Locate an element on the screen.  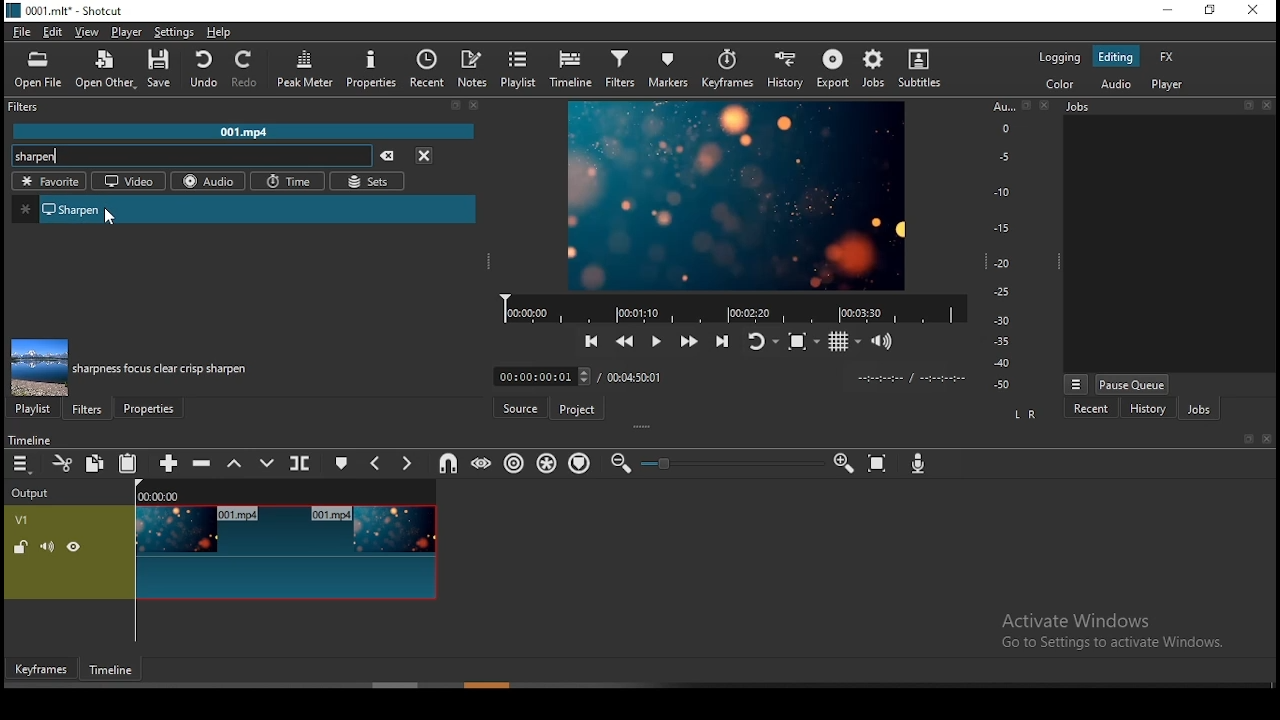
scroll bar is located at coordinates (491, 685).